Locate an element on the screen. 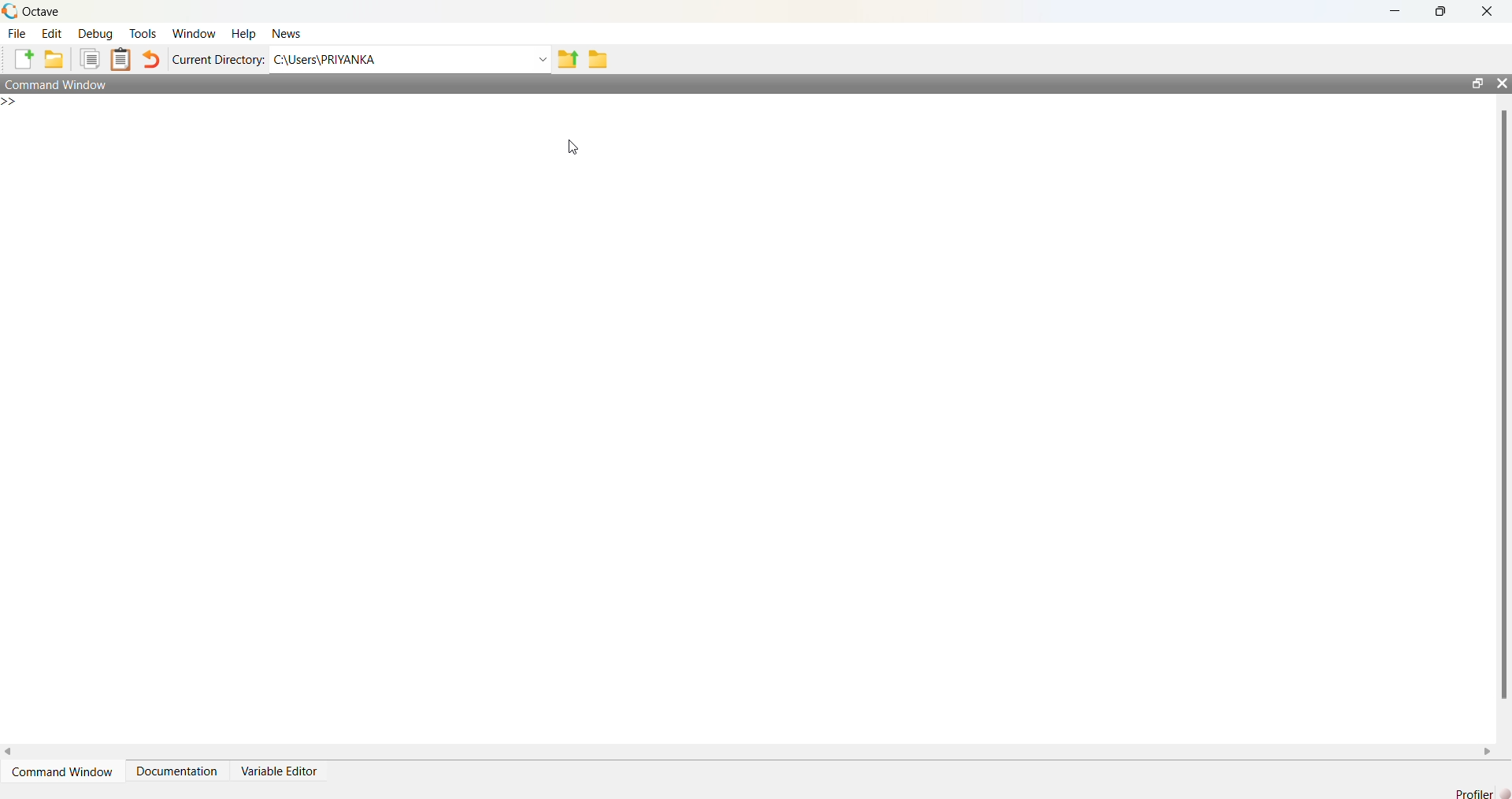  Copy is located at coordinates (89, 59).